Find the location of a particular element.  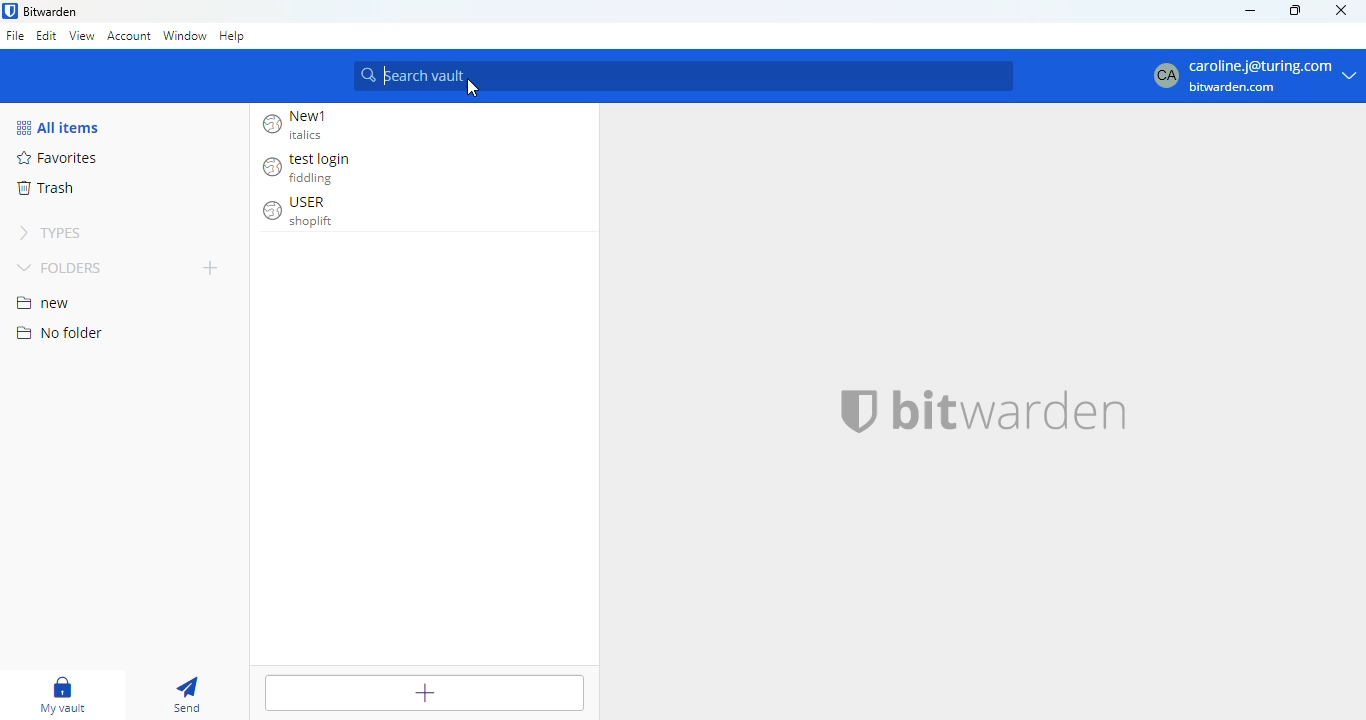

window is located at coordinates (184, 36).